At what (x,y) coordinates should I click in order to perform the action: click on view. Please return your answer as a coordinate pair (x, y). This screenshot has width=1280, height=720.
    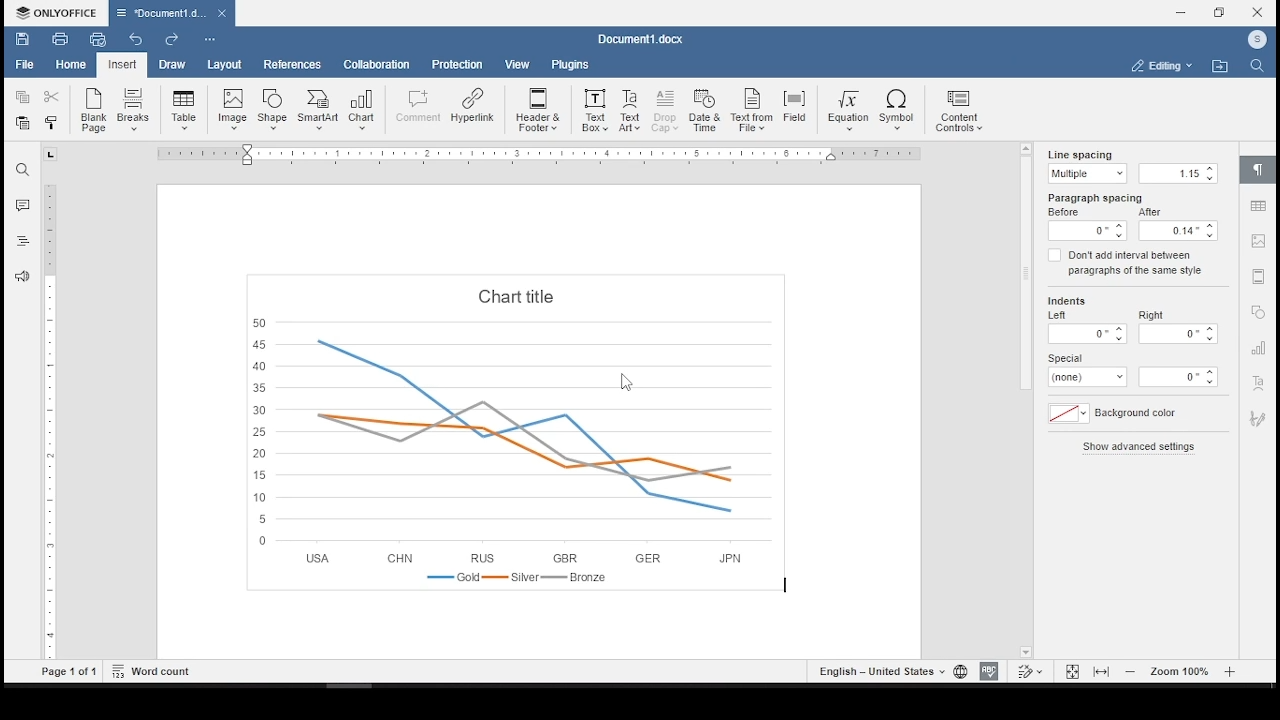
    Looking at the image, I should click on (515, 65).